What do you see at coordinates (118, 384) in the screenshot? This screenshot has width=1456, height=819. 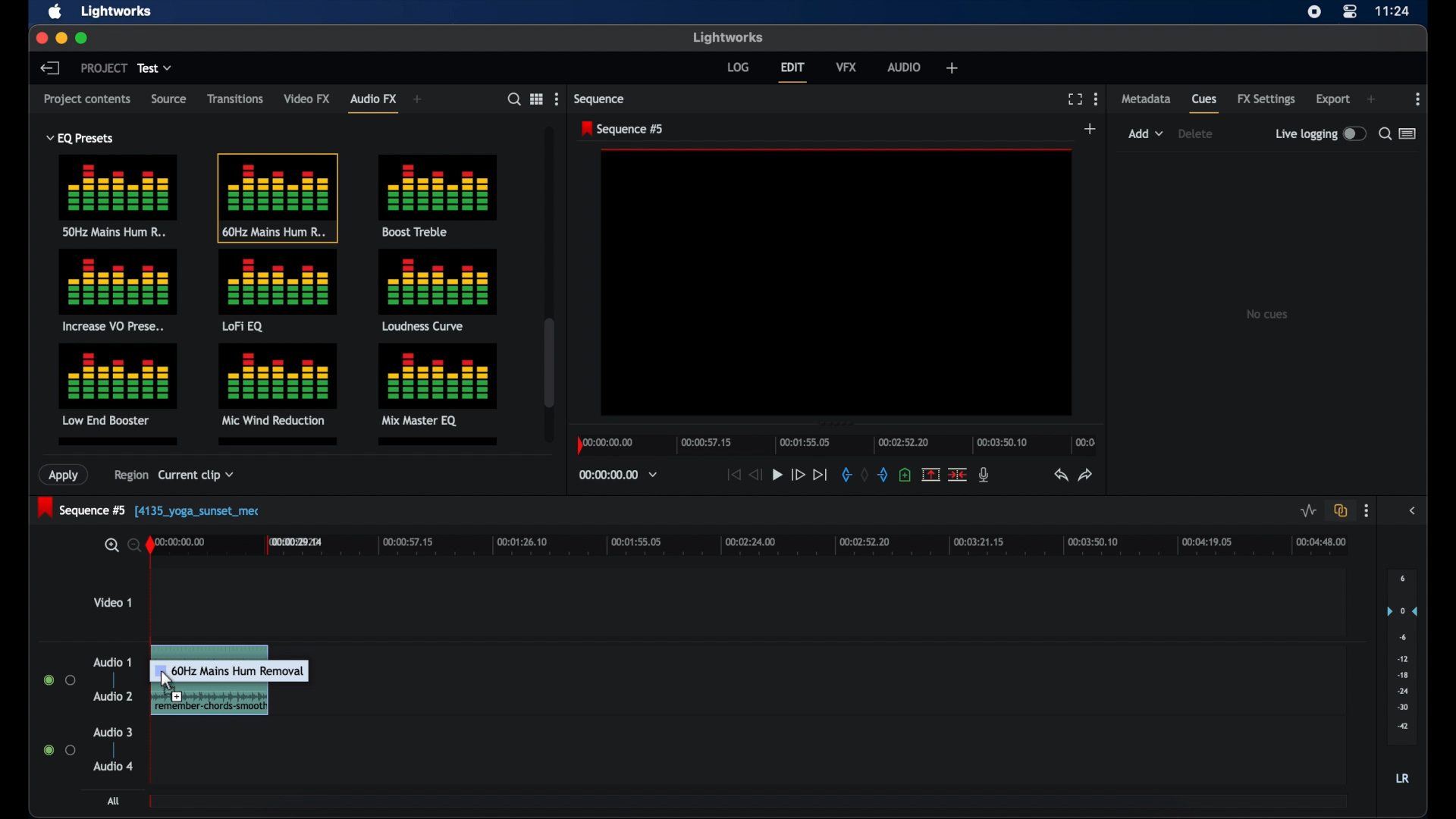 I see `low end booster` at bounding box center [118, 384].